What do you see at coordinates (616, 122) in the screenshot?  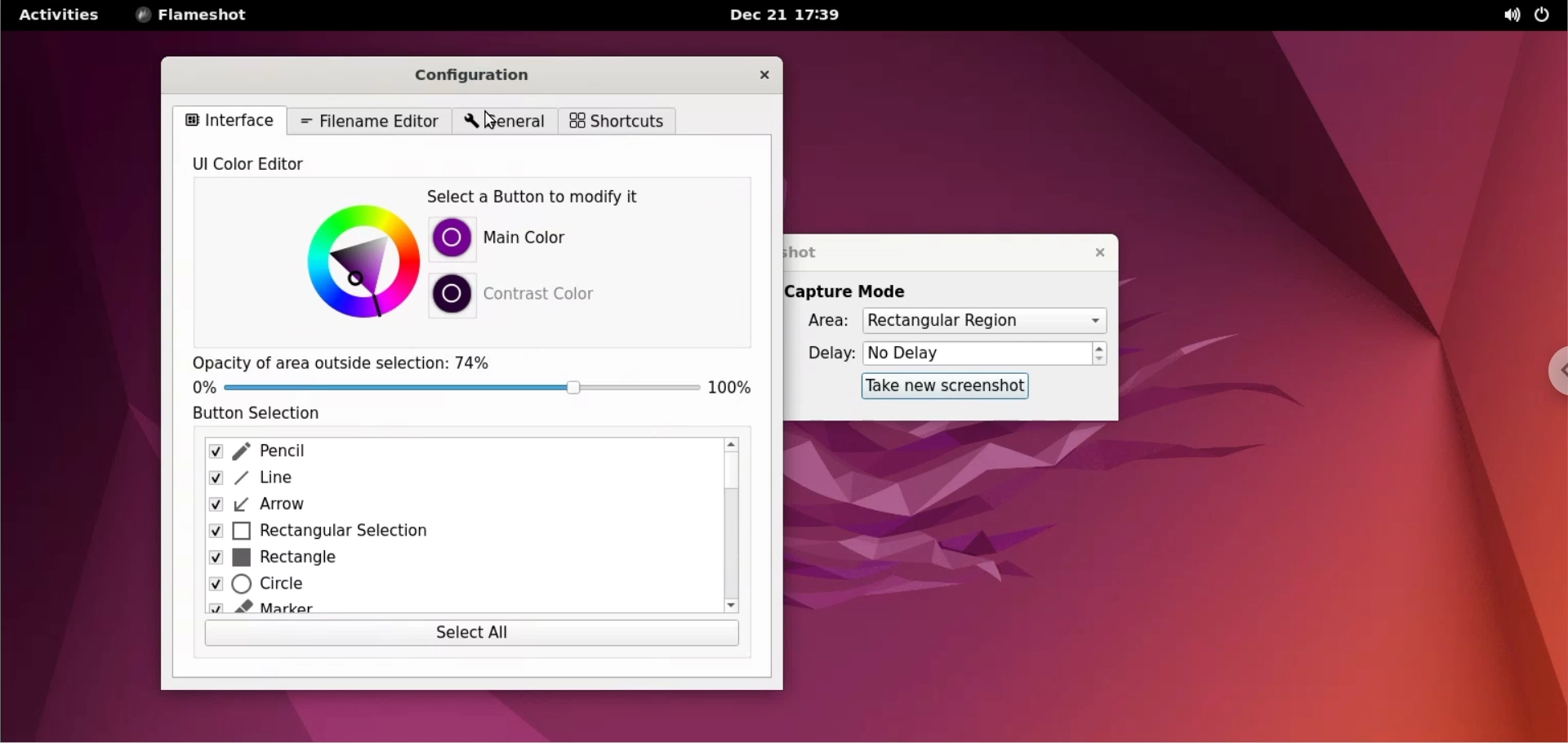 I see `shortcuts` at bounding box center [616, 122].